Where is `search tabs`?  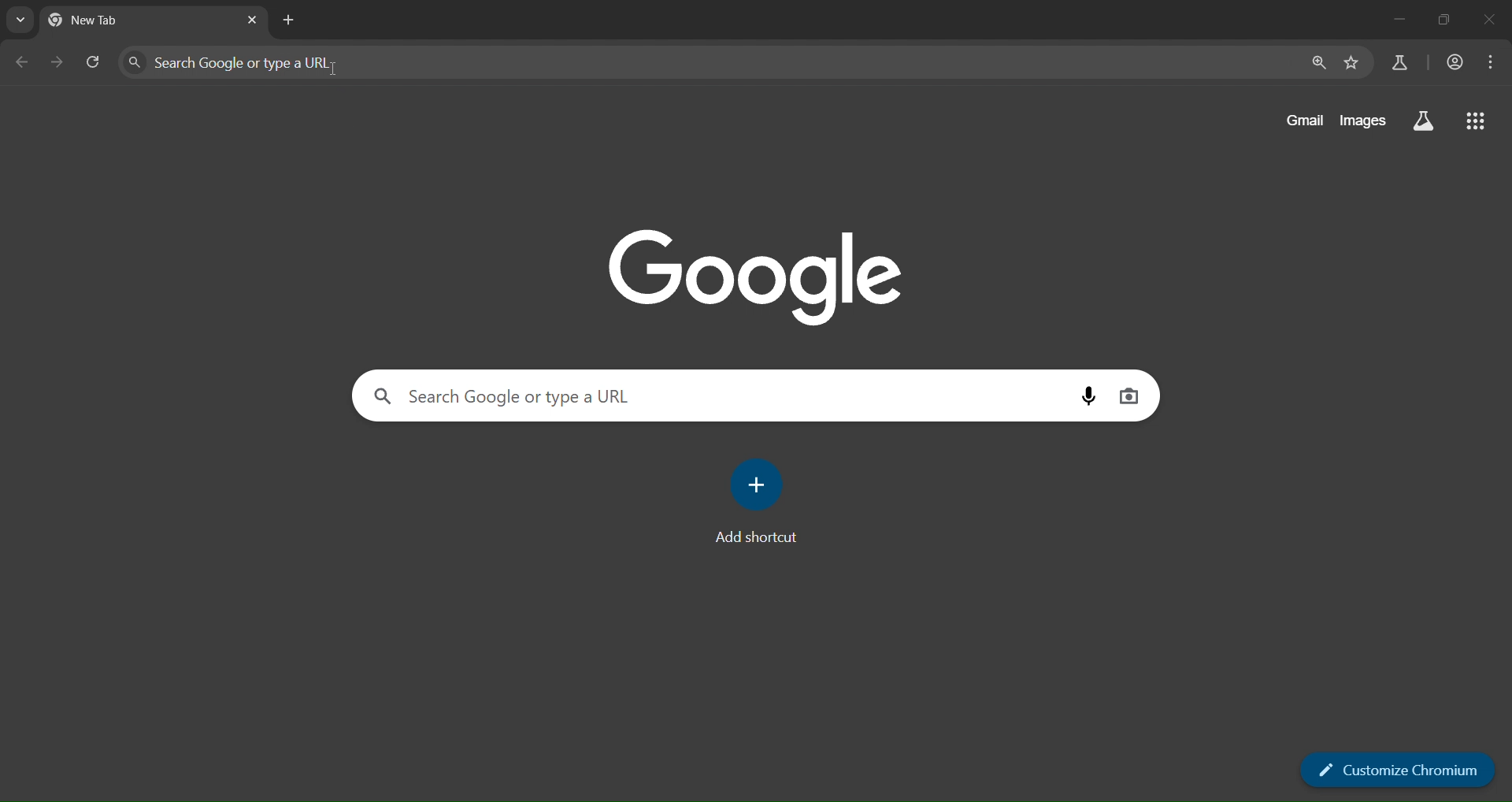
search tabs is located at coordinates (19, 20).